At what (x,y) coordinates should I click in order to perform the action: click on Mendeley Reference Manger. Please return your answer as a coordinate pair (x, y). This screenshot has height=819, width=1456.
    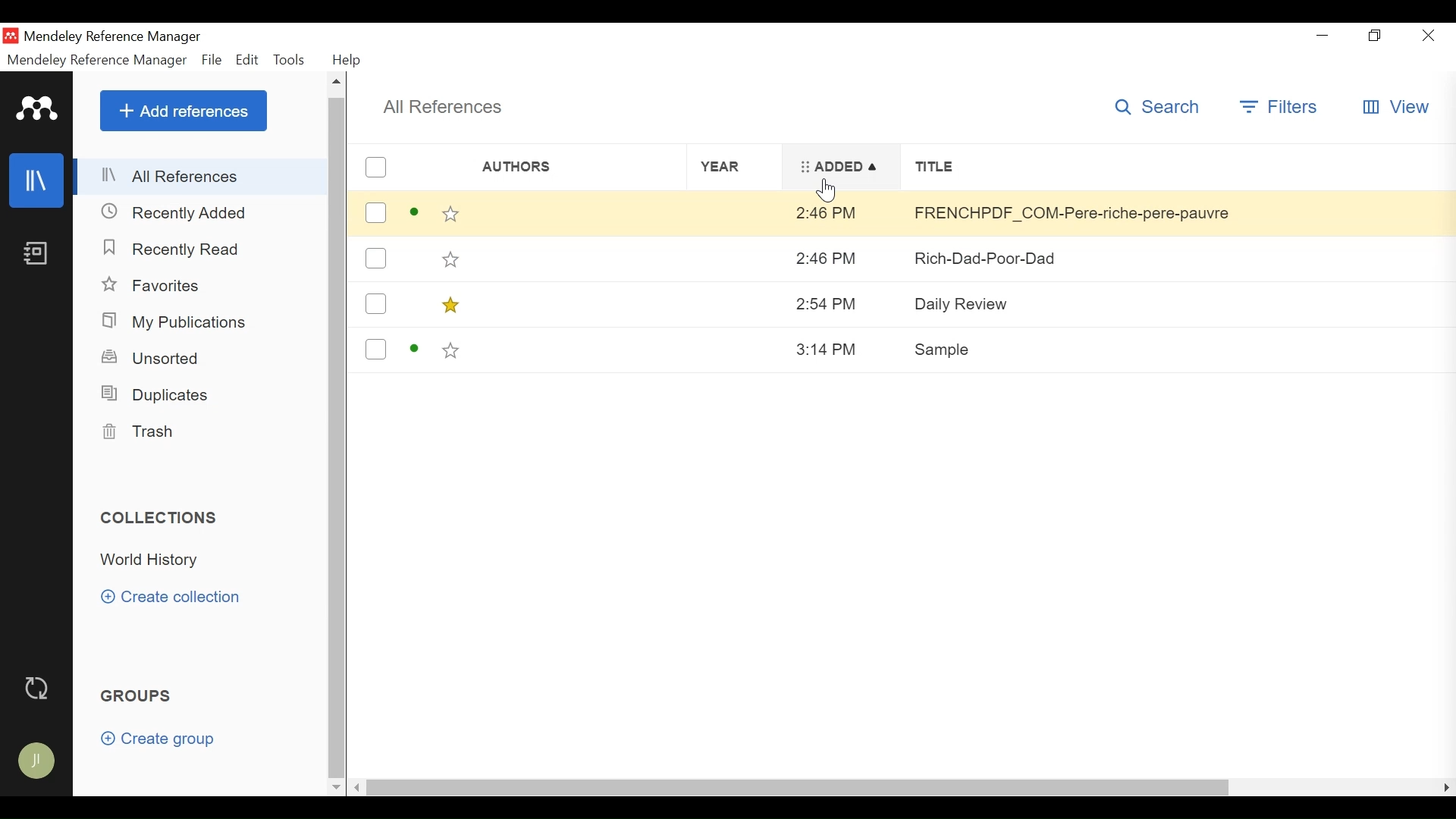
    Looking at the image, I should click on (117, 36).